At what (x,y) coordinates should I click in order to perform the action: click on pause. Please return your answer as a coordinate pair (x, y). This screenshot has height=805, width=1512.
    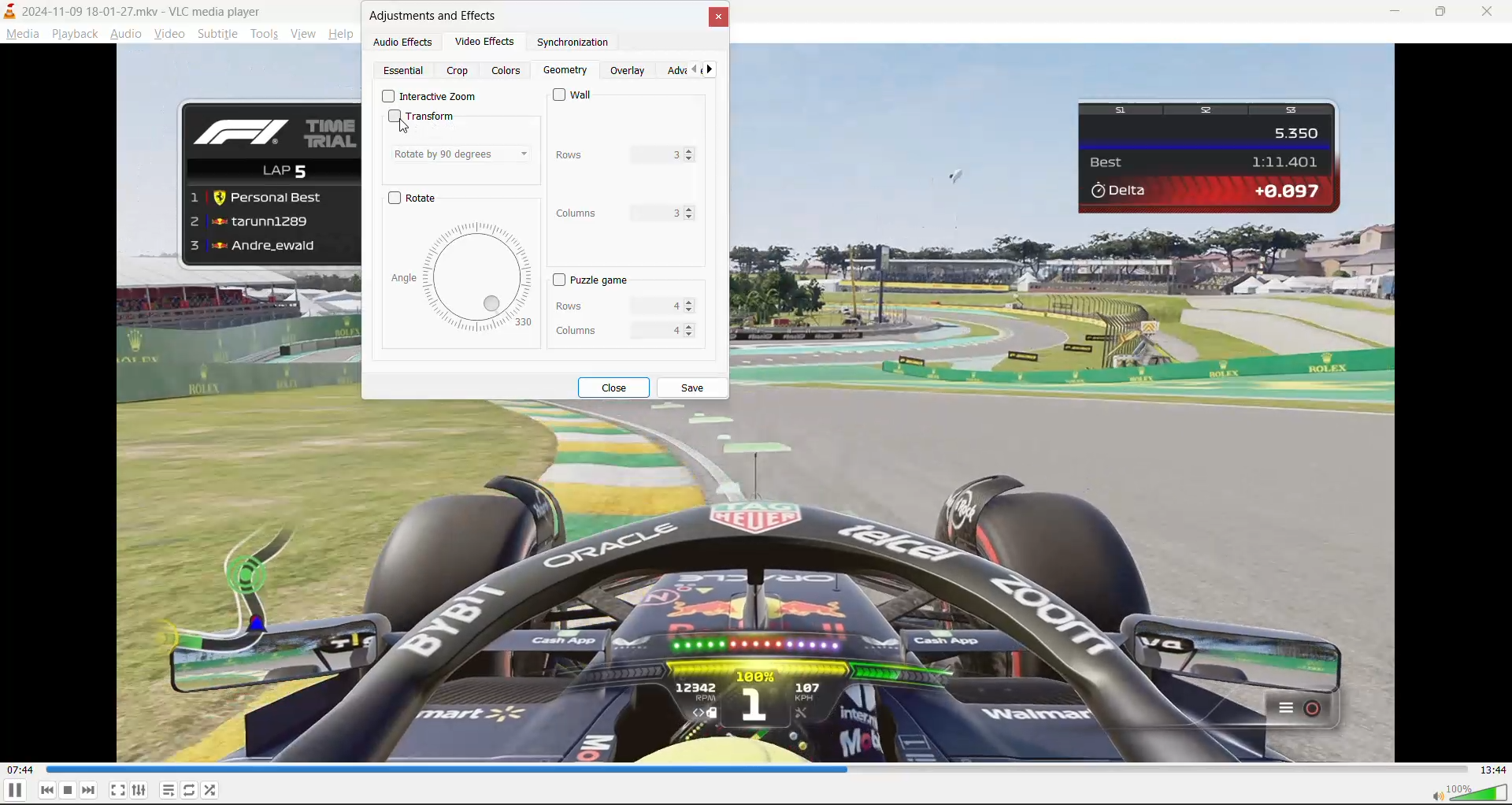
    Looking at the image, I should click on (14, 791).